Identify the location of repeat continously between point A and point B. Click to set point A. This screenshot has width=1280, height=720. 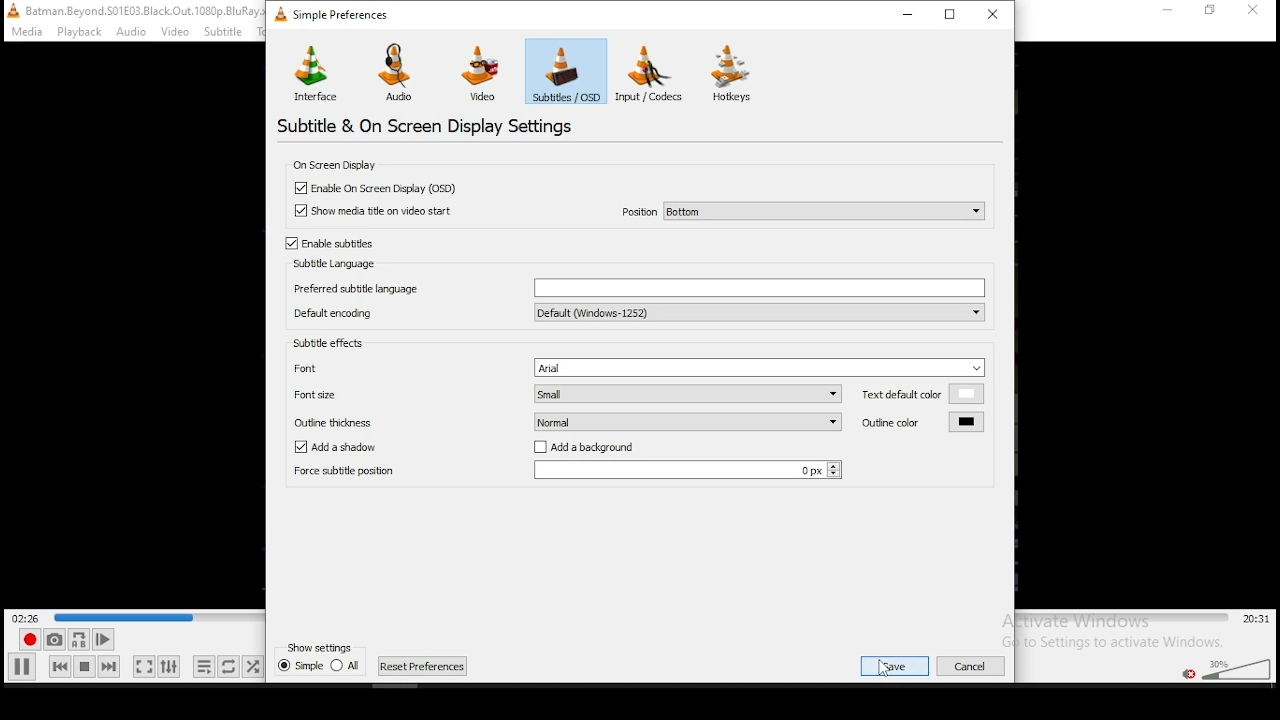
(77, 639).